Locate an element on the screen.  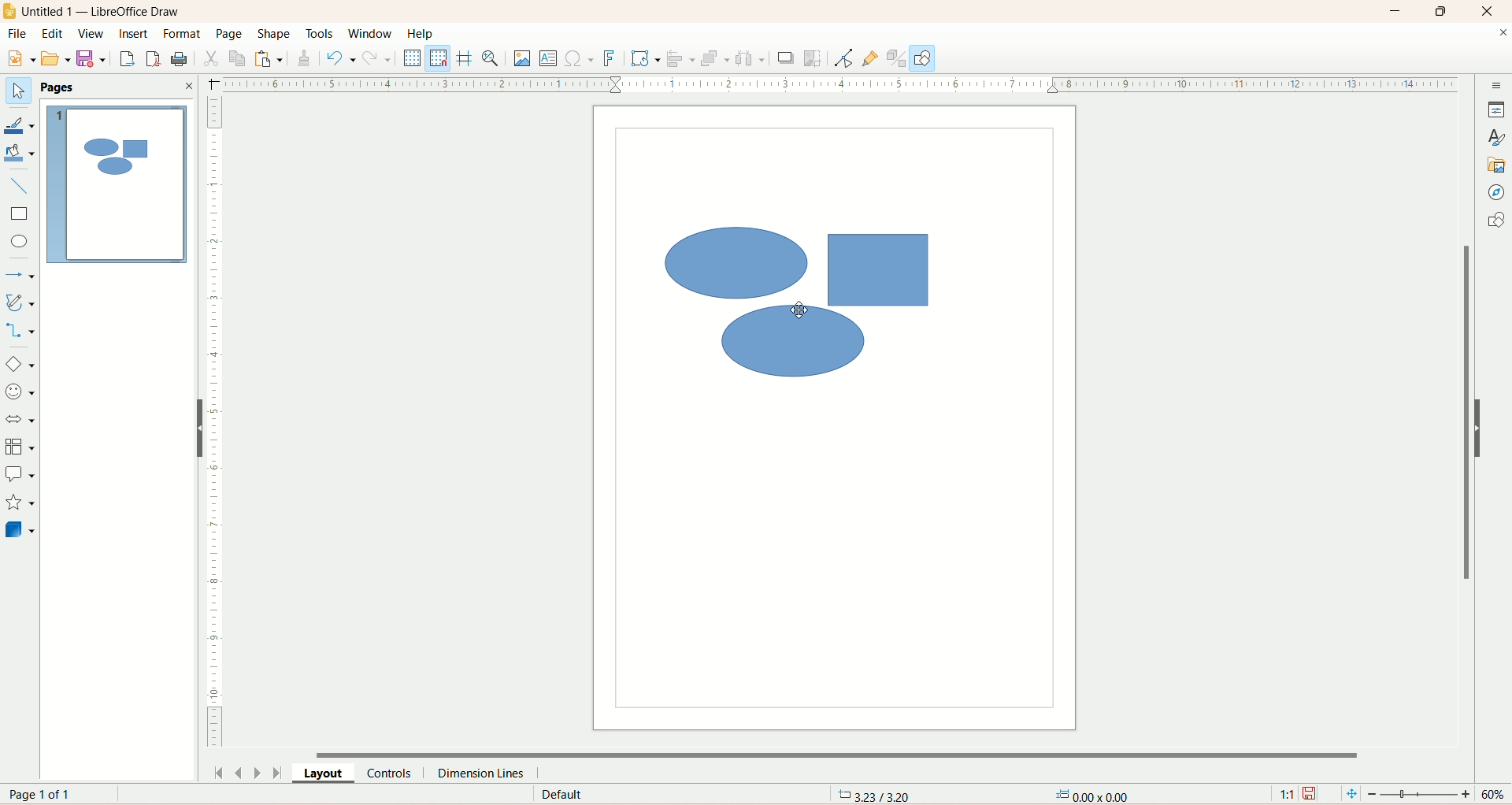
paste is located at coordinates (268, 57).